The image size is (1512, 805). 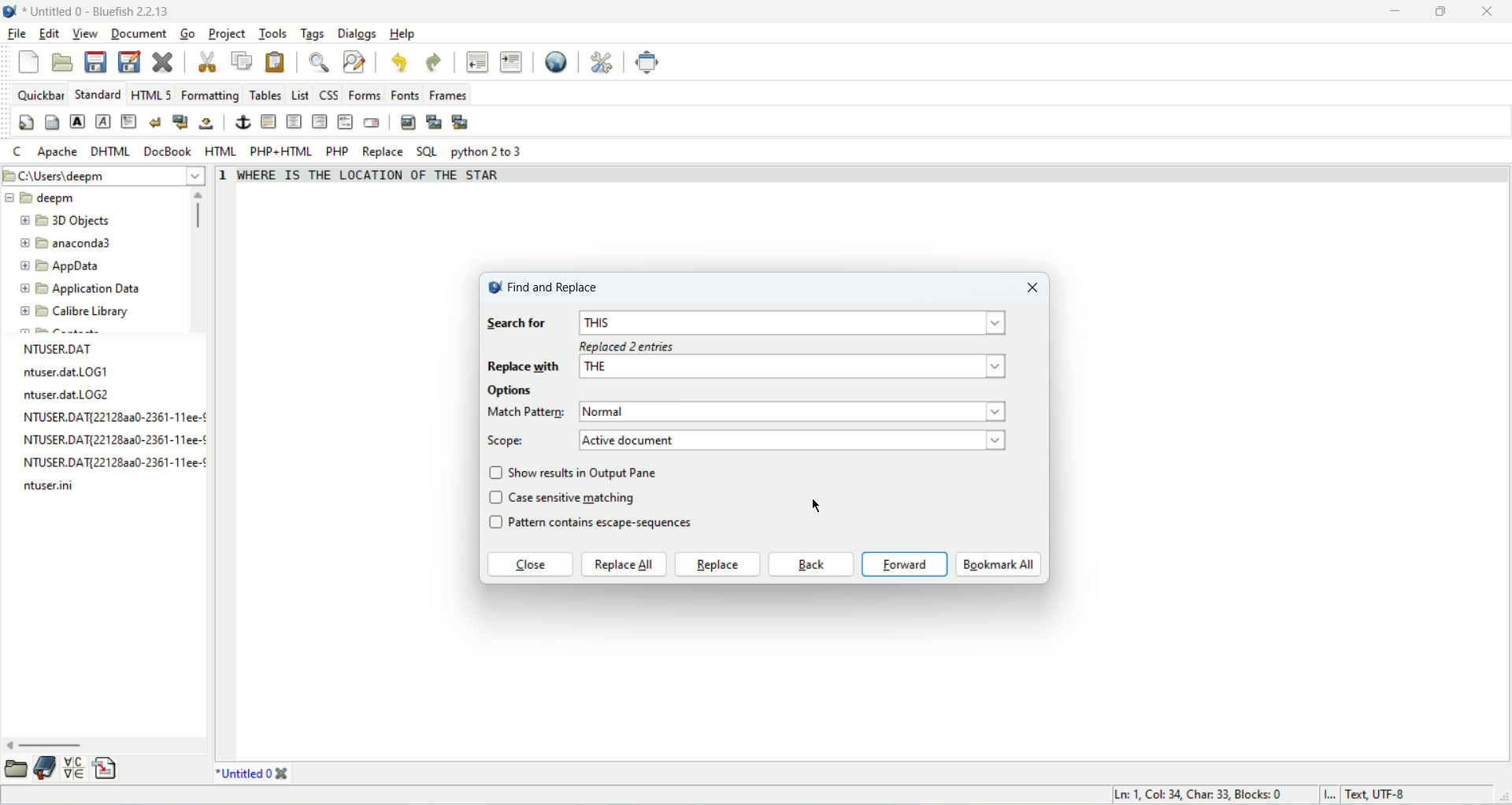 I want to click on find and replace, so click(x=554, y=287).